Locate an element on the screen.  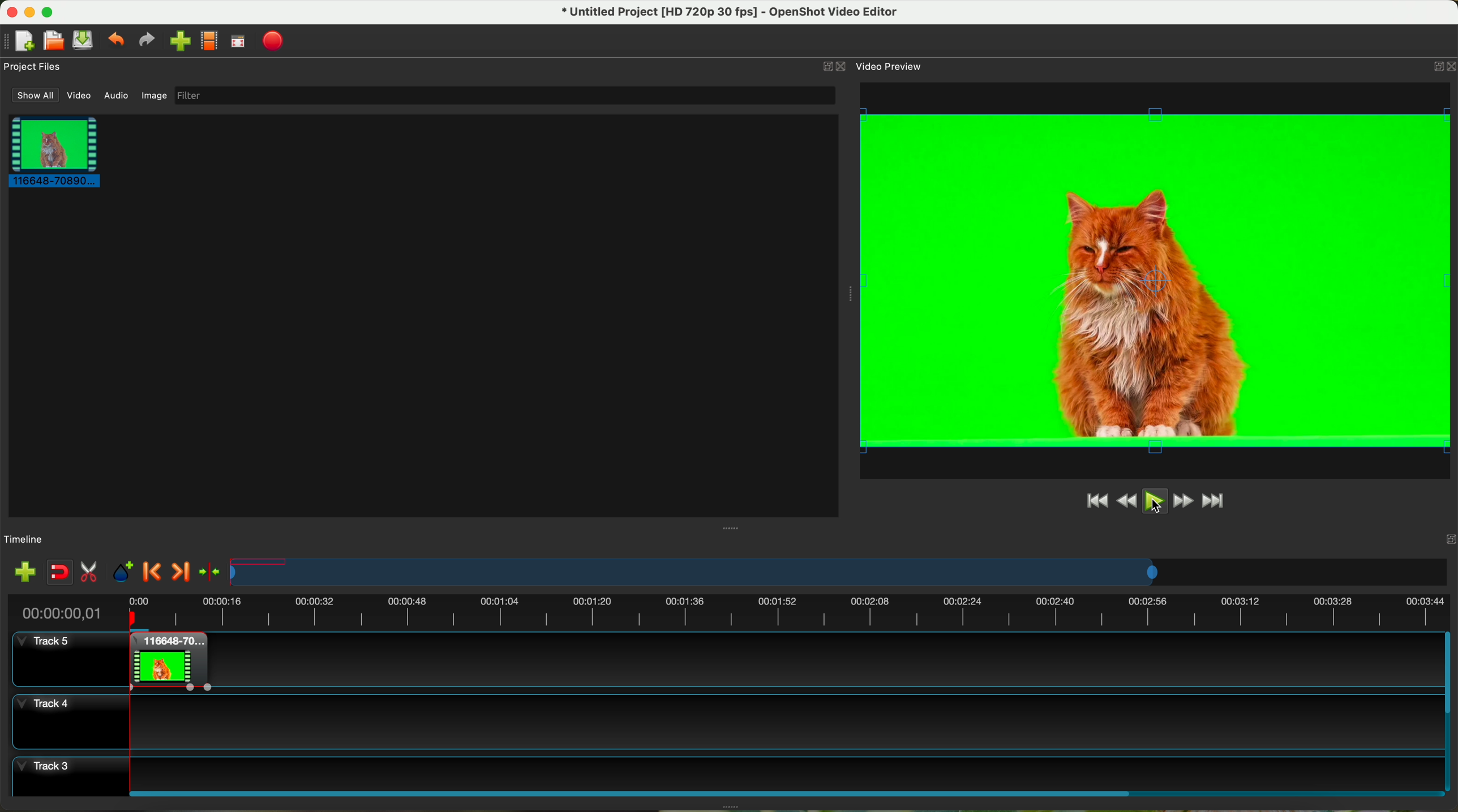
jump to start is located at coordinates (1096, 500).